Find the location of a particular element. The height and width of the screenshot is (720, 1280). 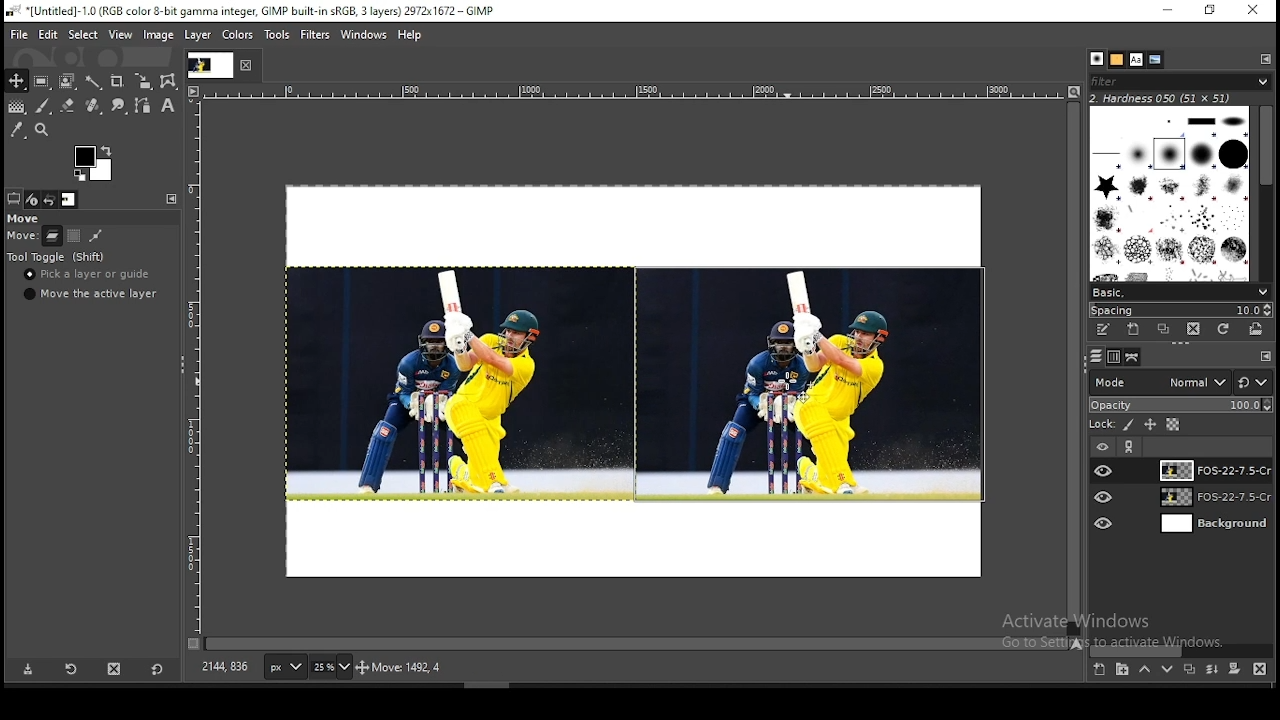

move layer on step up is located at coordinates (1144, 671).